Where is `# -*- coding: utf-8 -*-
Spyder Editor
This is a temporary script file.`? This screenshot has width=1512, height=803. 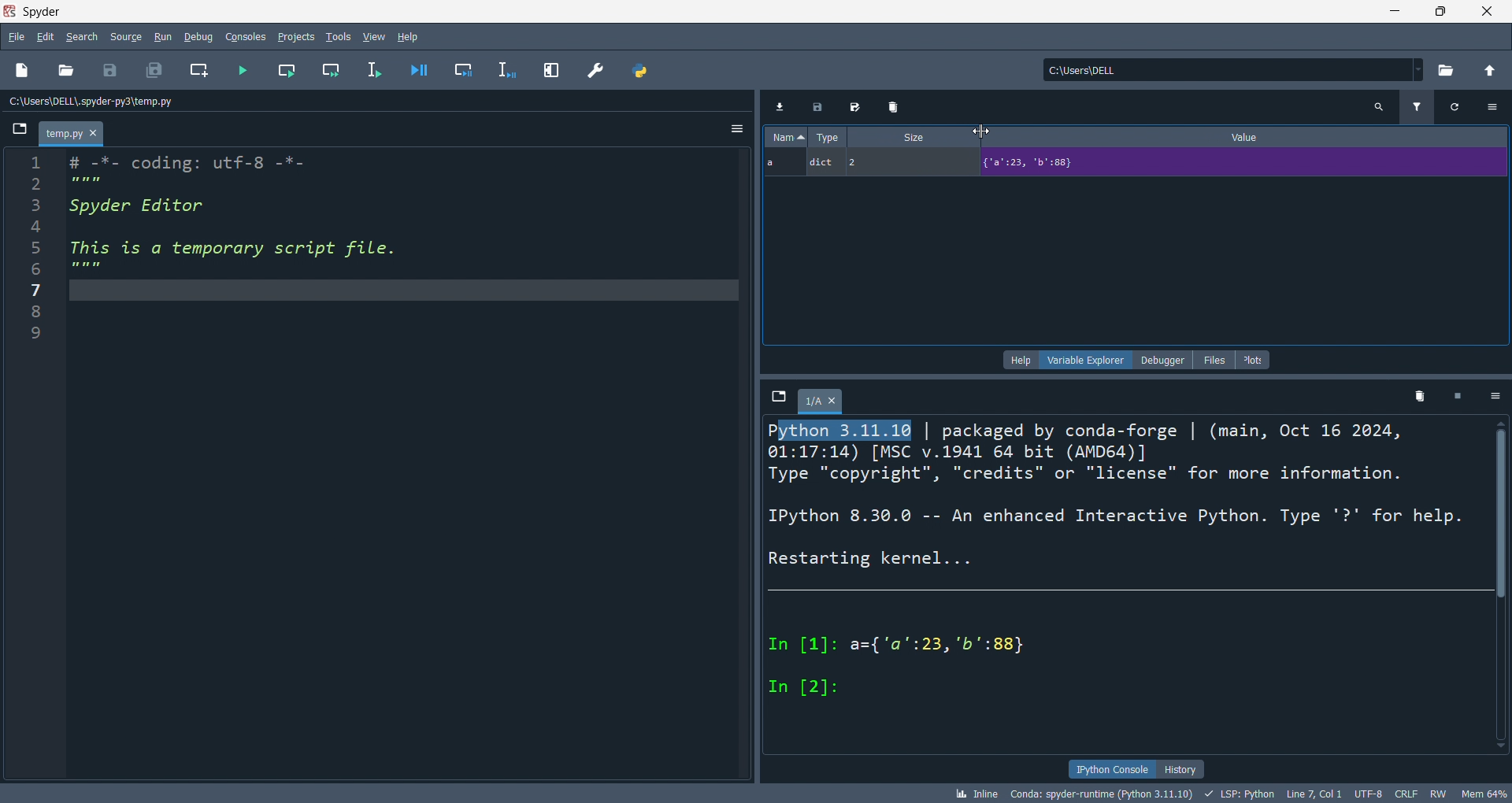
# -*- coding: utf-8 -*-
Spyder Editor
This is a temporary script file. is located at coordinates (245, 214).